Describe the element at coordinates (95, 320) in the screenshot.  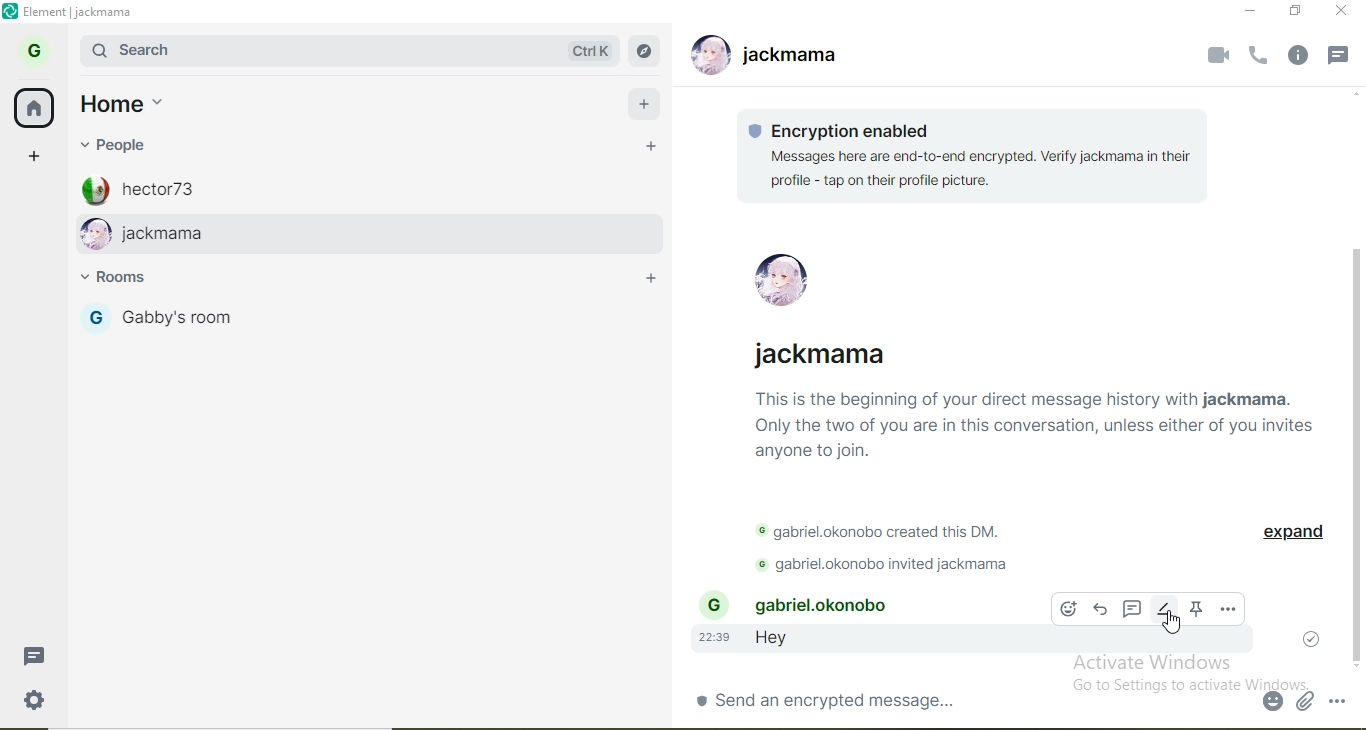
I see `profile` at that location.